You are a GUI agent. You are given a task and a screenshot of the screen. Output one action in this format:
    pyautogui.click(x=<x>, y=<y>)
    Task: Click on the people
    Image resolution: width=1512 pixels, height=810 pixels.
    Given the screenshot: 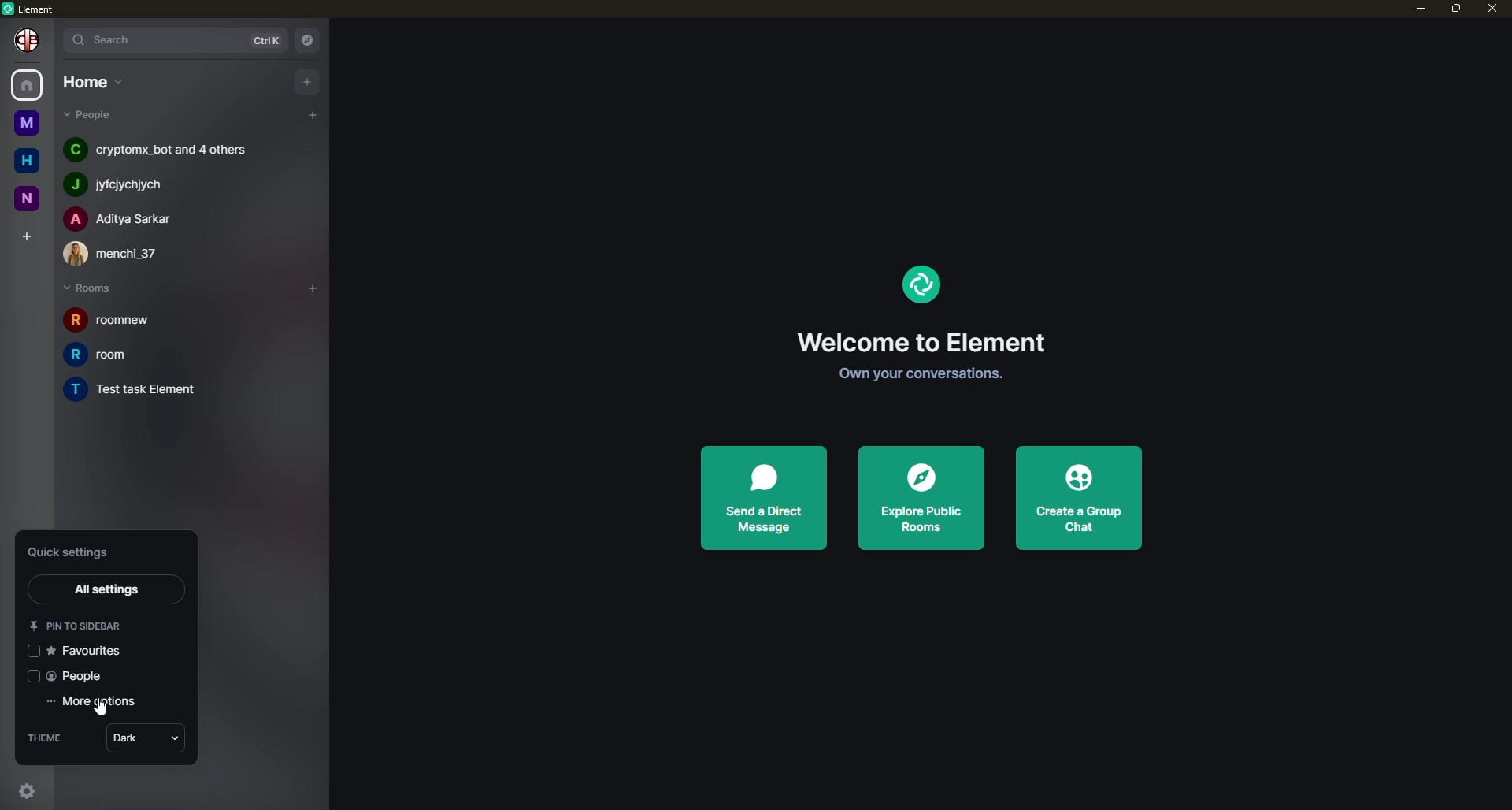 What is the action you would take?
    pyautogui.click(x=78, y=677)
    